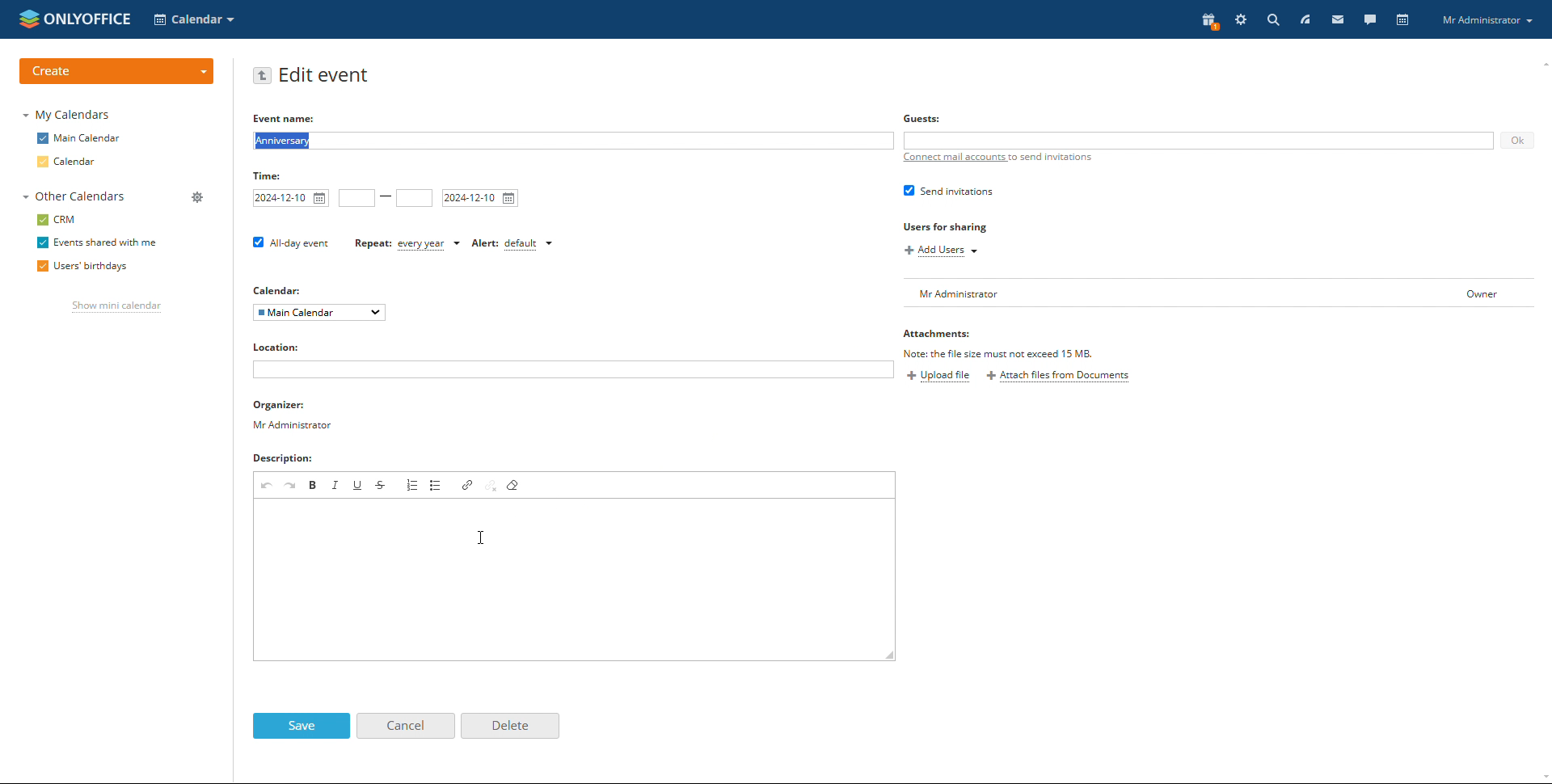 The height and width of the screenshot is (784, 1552). I want to click on upload file, so click(941, 375).